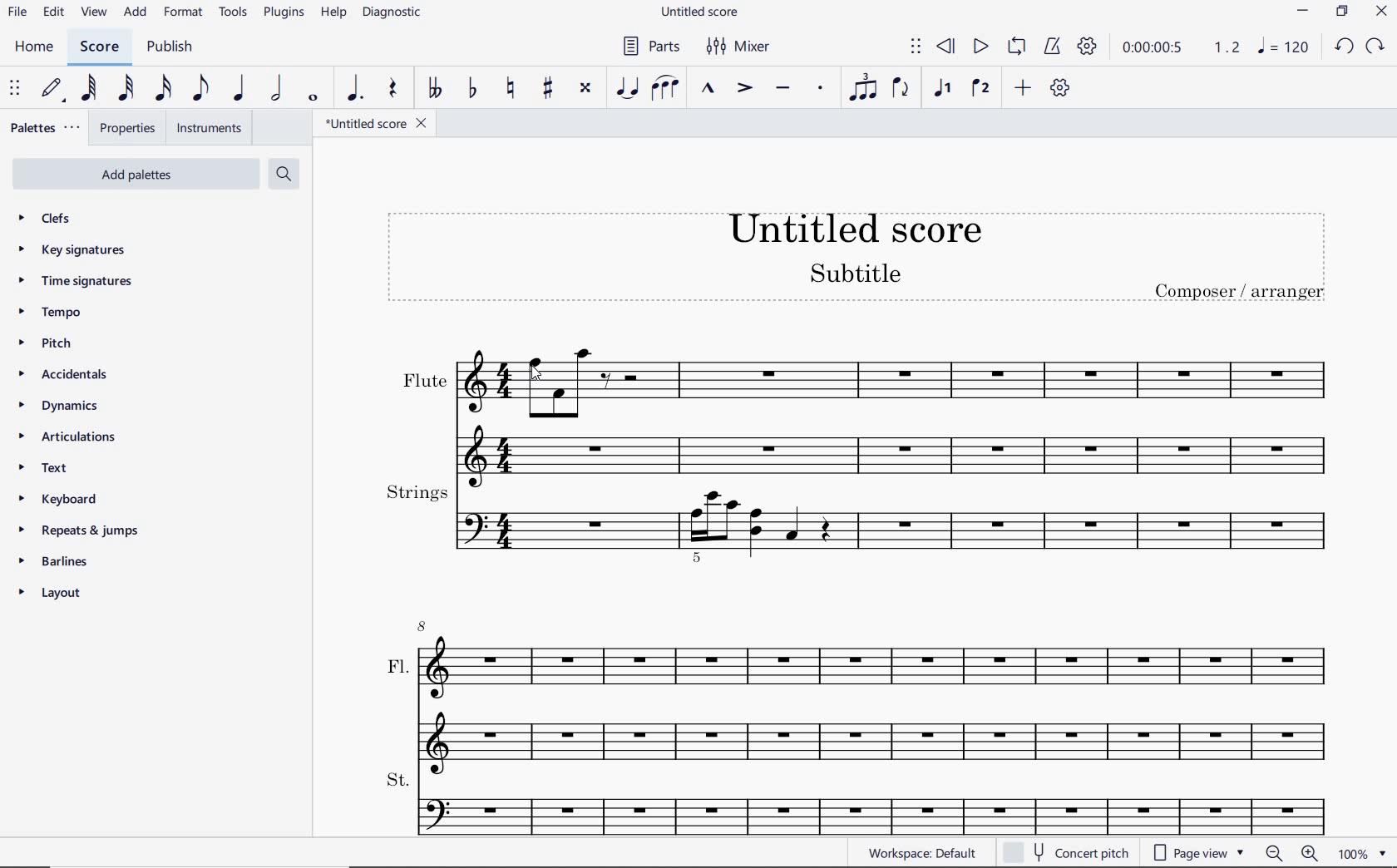  I want to click on palettes, so click(47, 126).